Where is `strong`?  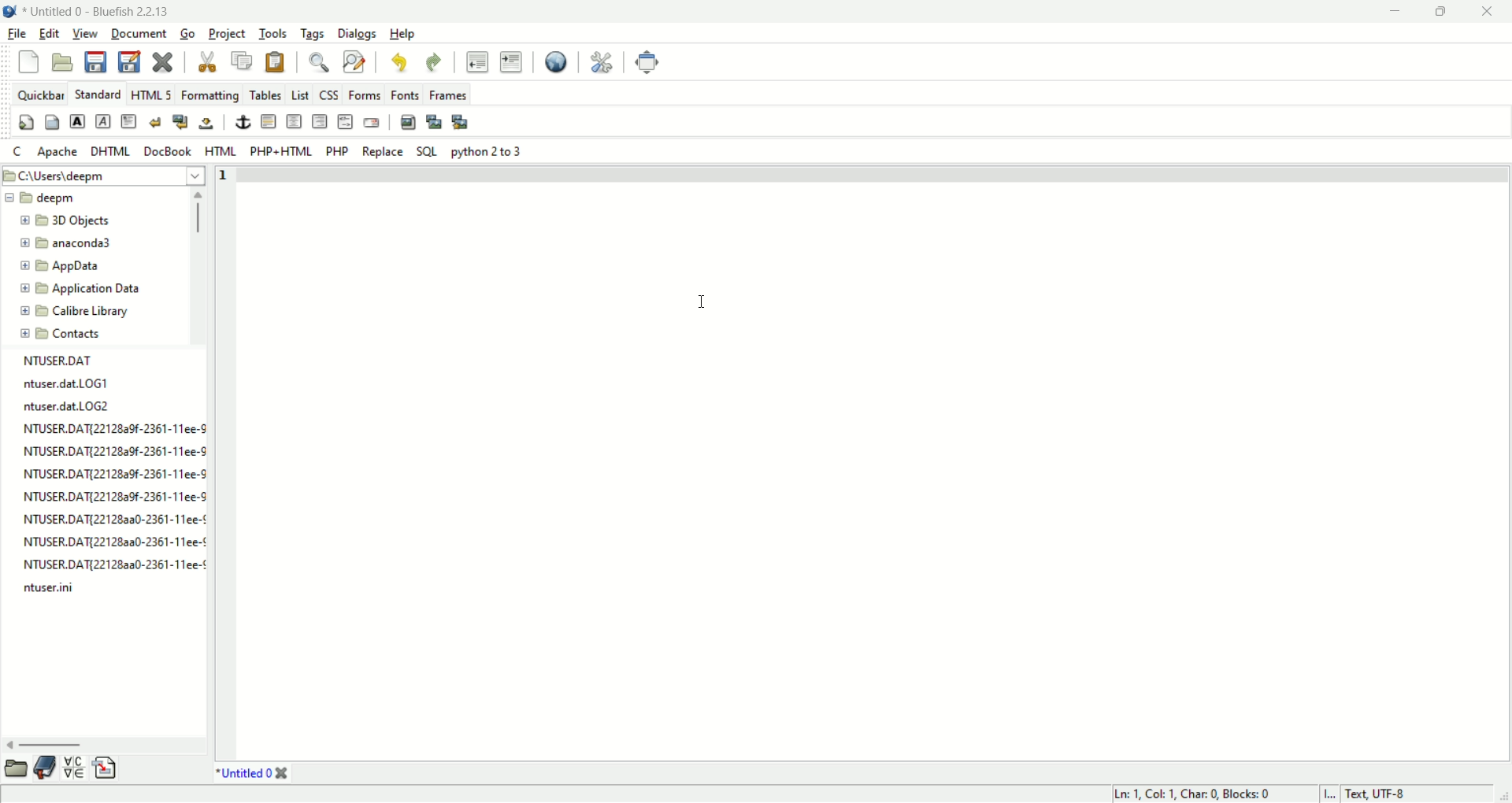
strong is located at coordinates (76, 121).